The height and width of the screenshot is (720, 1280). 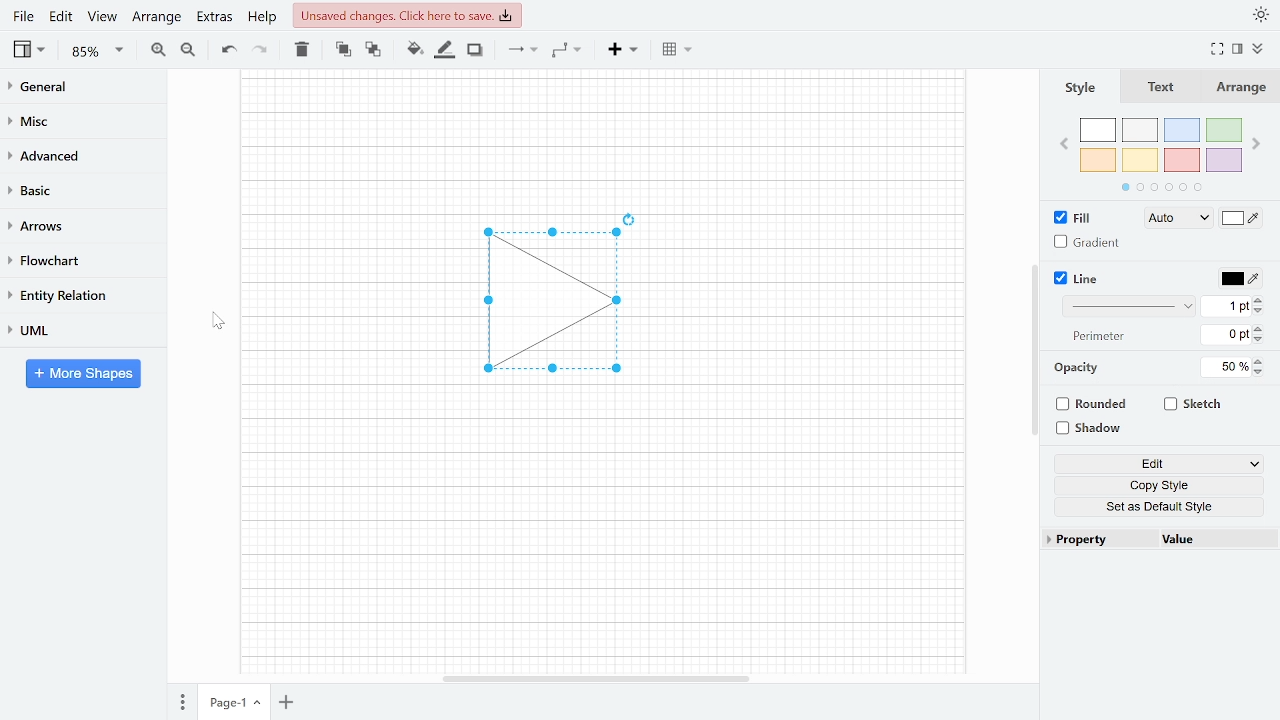 I want to click on Advanced, so click(x=77, y=154).